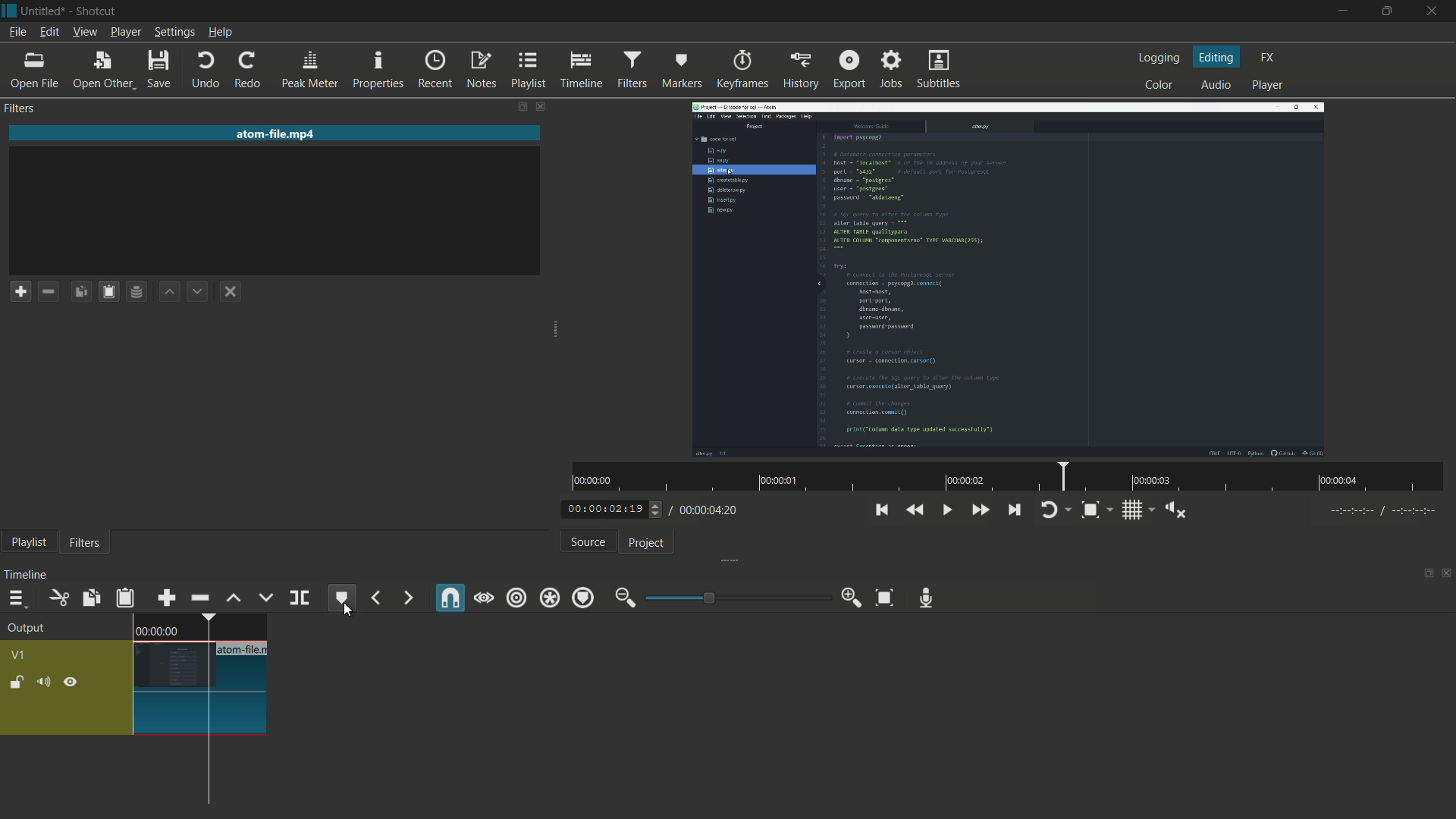  I want to click on ripple, so click(516, 599).